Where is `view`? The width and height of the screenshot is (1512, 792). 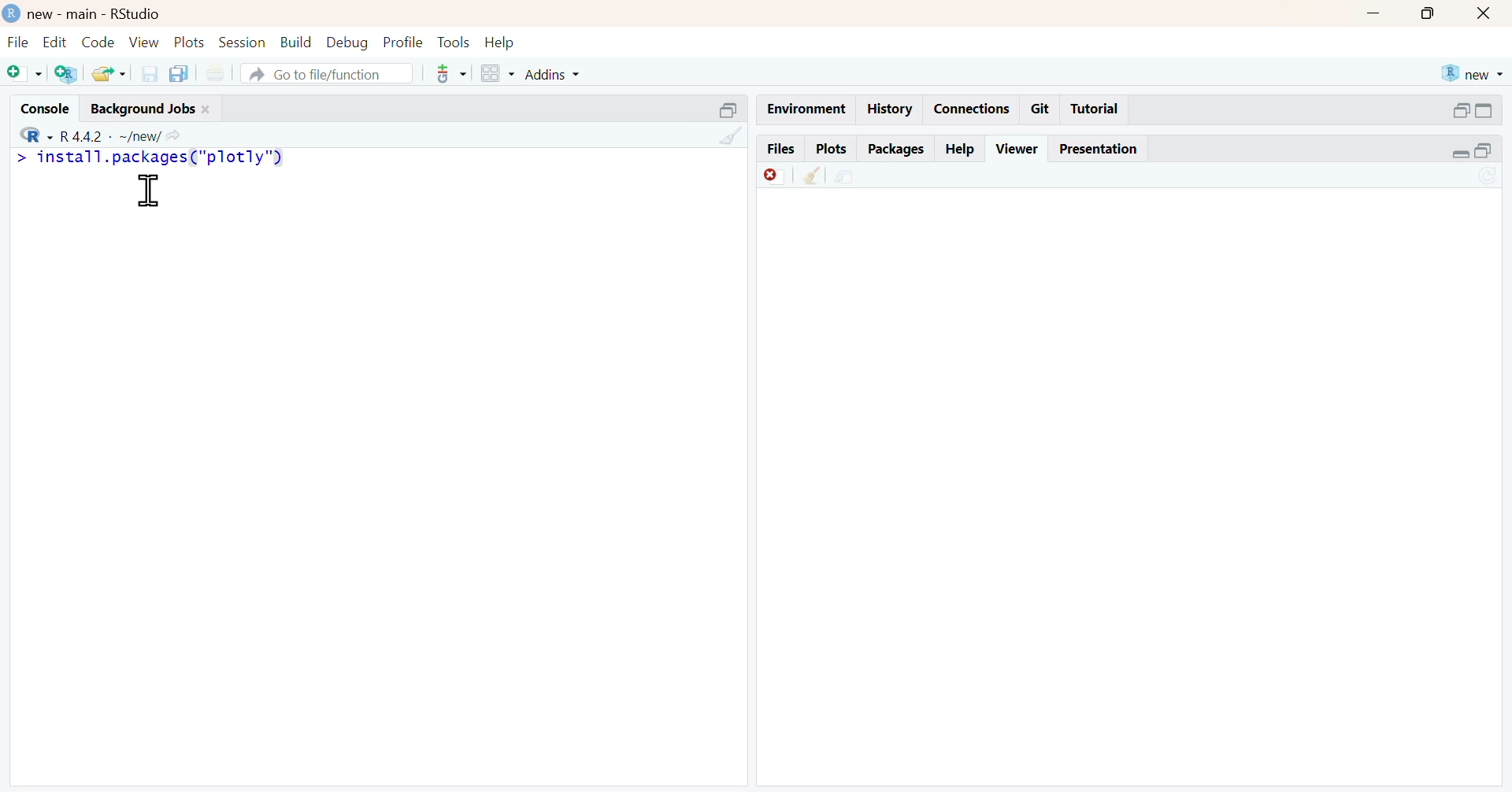
view is located at coordinates (145, 42).